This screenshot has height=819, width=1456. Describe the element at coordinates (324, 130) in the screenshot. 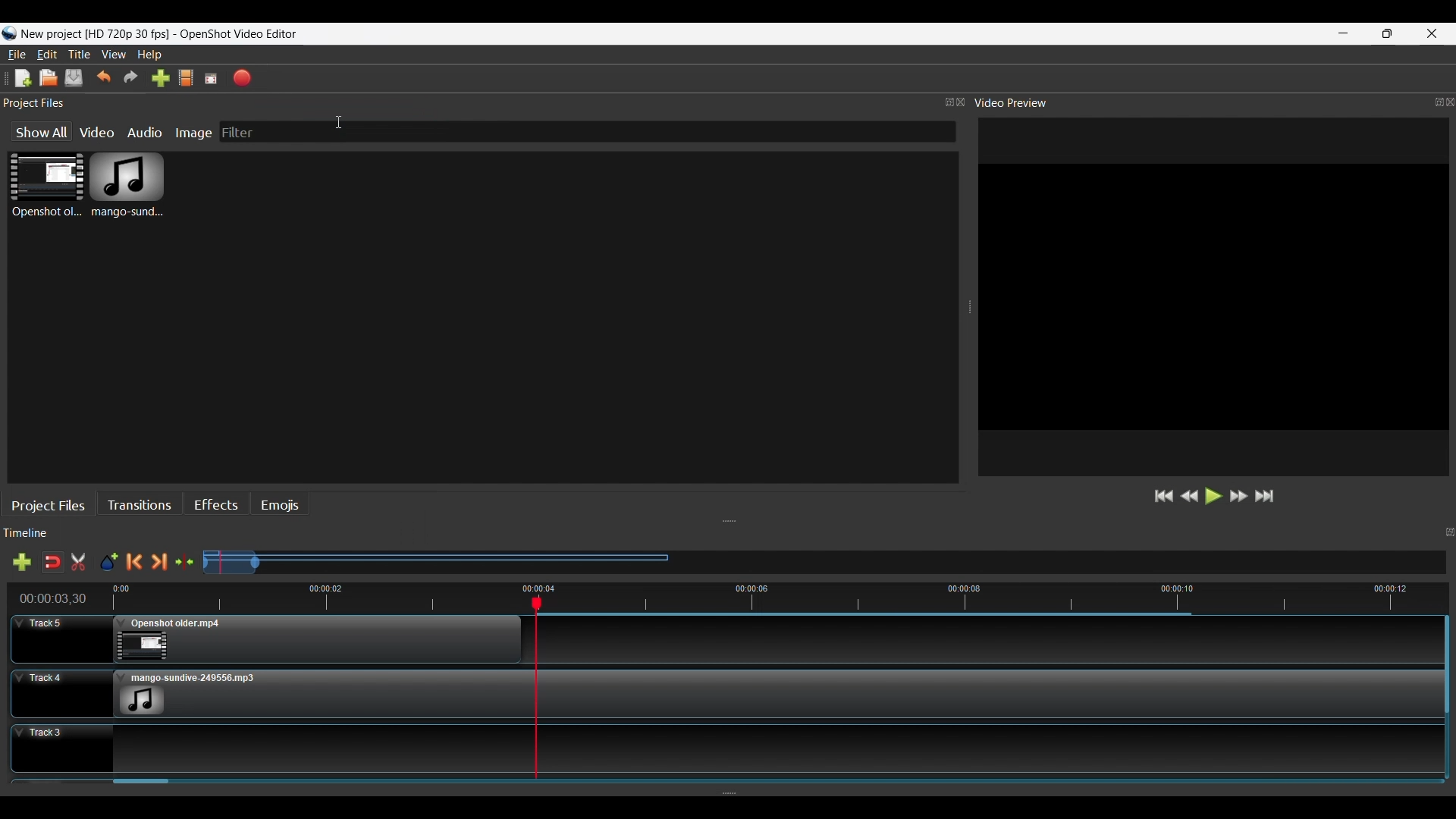

I see `Filter` at that location.